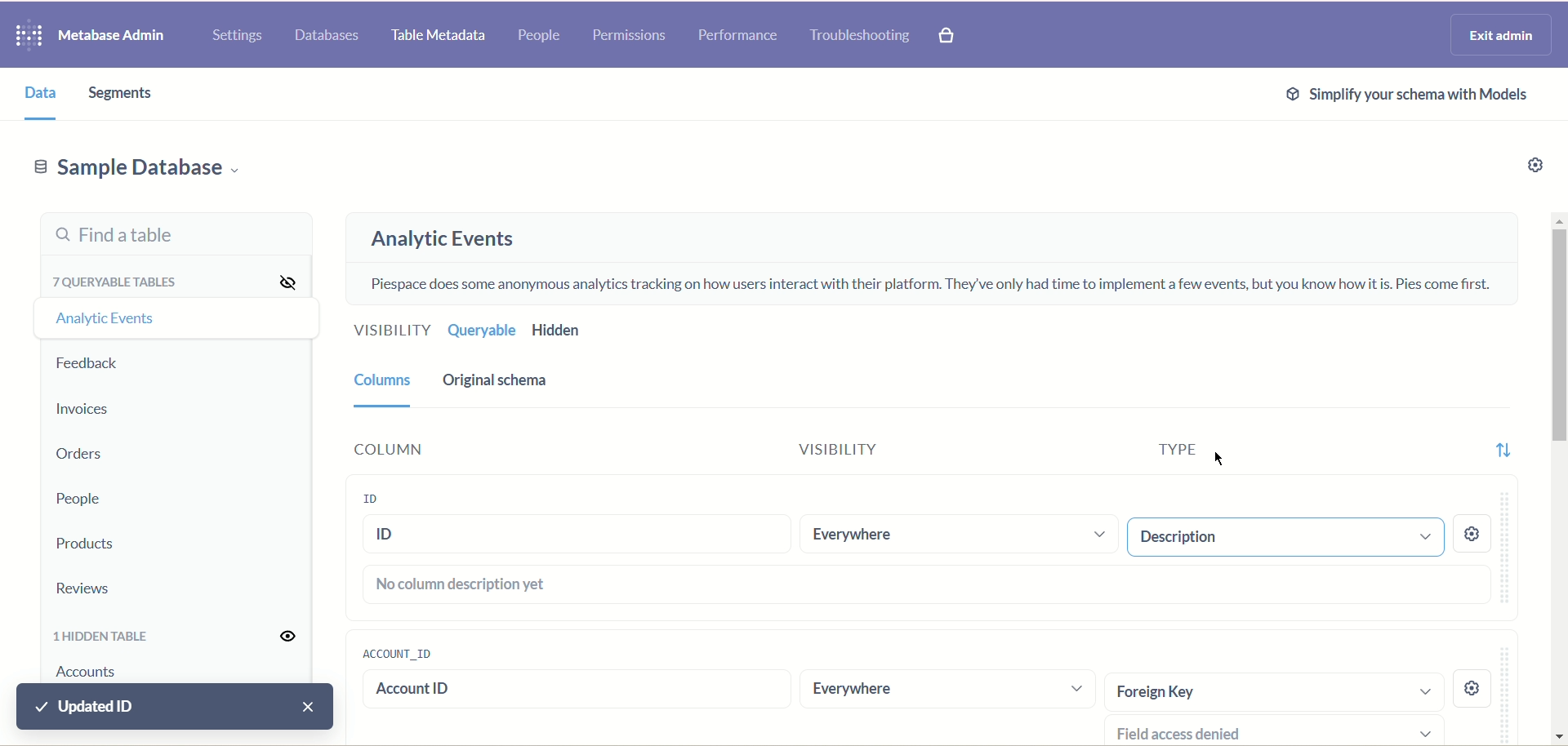 This screenshot has width=1568, height=746. What do you see at coordinates (1223, 460) in the screenshot?
I see `cursor` at bounding box center [1223, 460].